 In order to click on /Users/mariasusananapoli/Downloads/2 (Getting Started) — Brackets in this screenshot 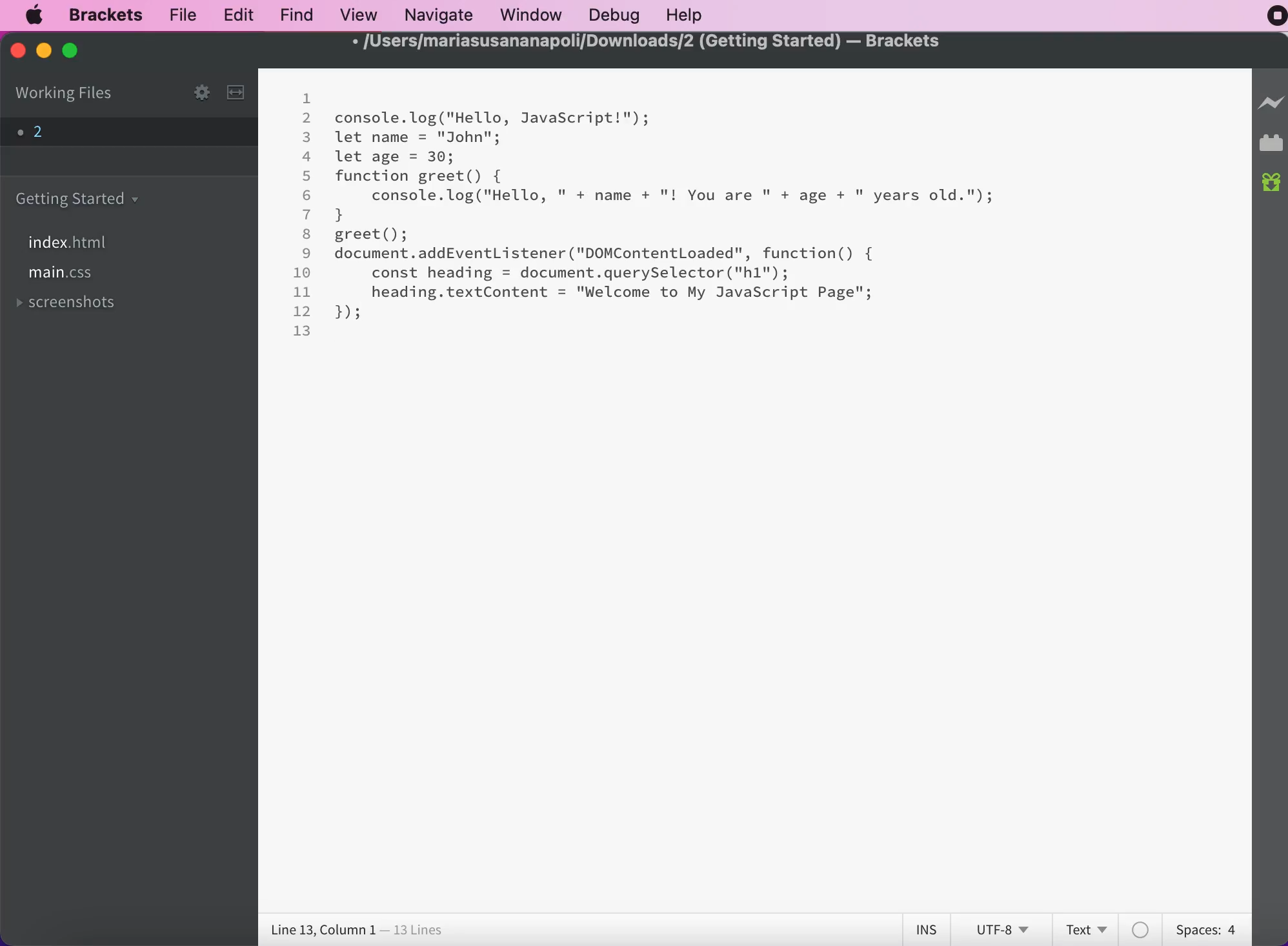, I will do `click(647, 42)`.